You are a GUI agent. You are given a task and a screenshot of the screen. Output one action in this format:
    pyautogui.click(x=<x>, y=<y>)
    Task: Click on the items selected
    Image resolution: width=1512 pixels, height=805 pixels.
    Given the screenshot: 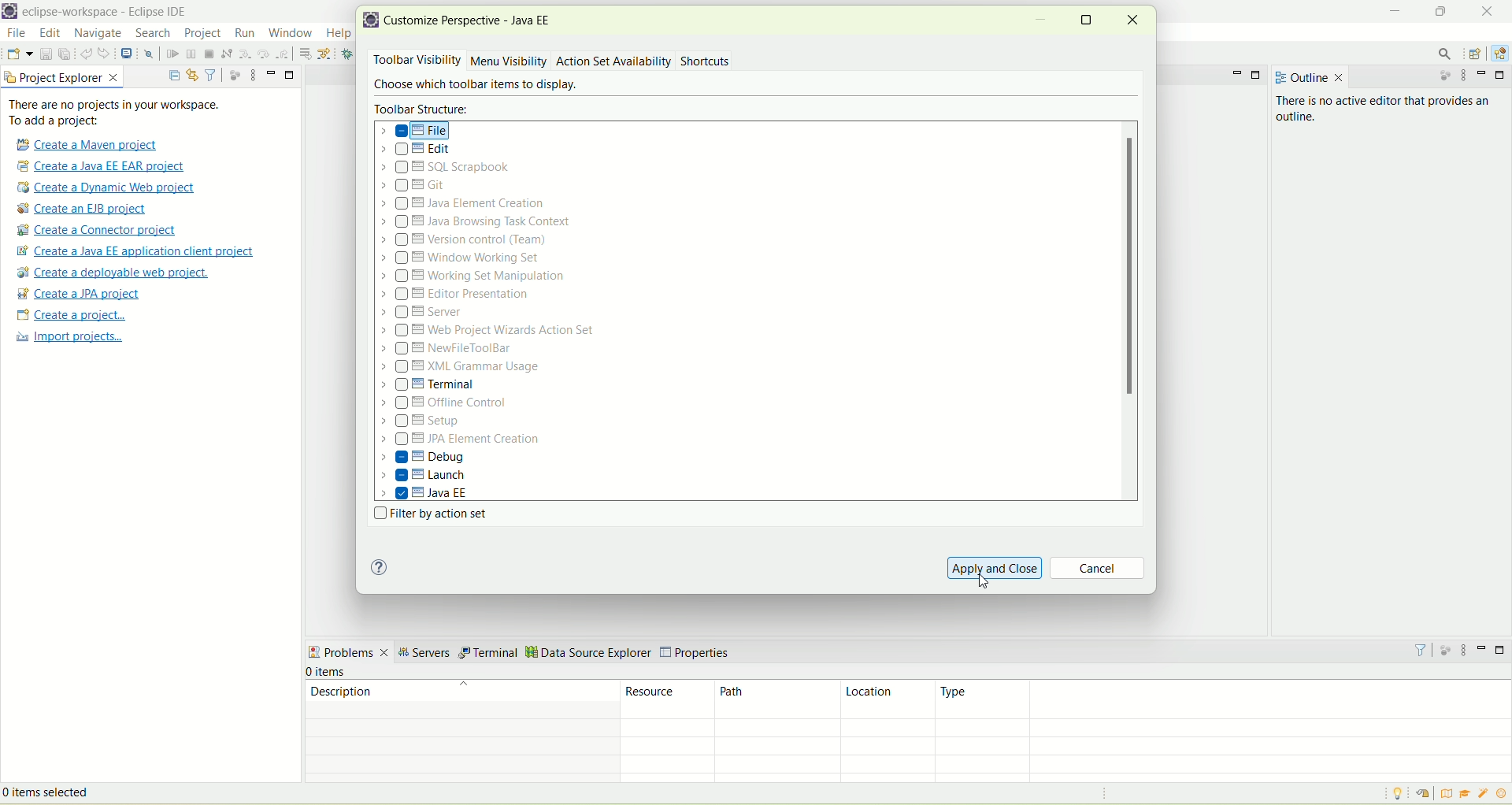 What is the action you would take?
    pyautogui.click(x=70, y=791)
    